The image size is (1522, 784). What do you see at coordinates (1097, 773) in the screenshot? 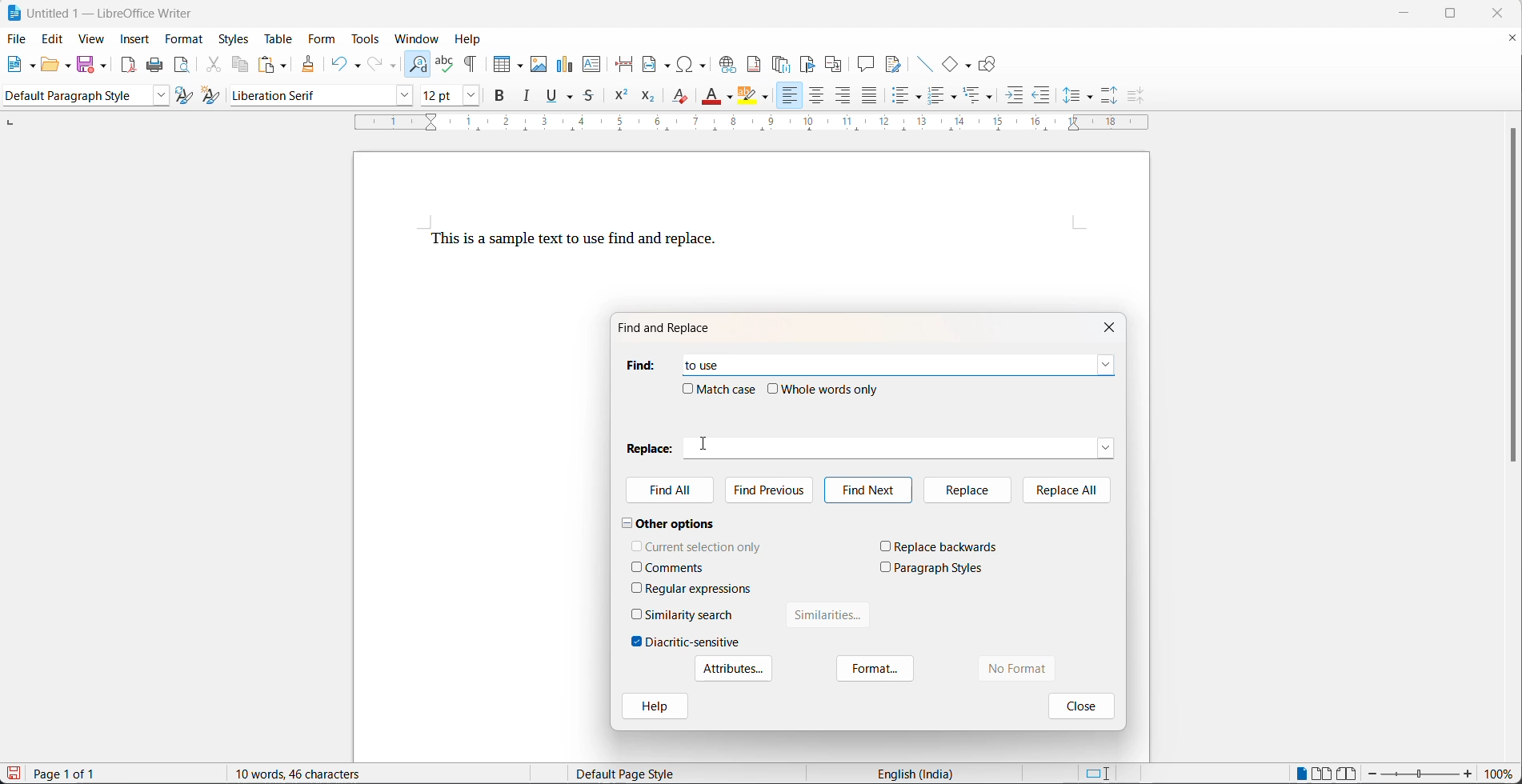
I see `standard selection` at bounding box center [1097, 773].